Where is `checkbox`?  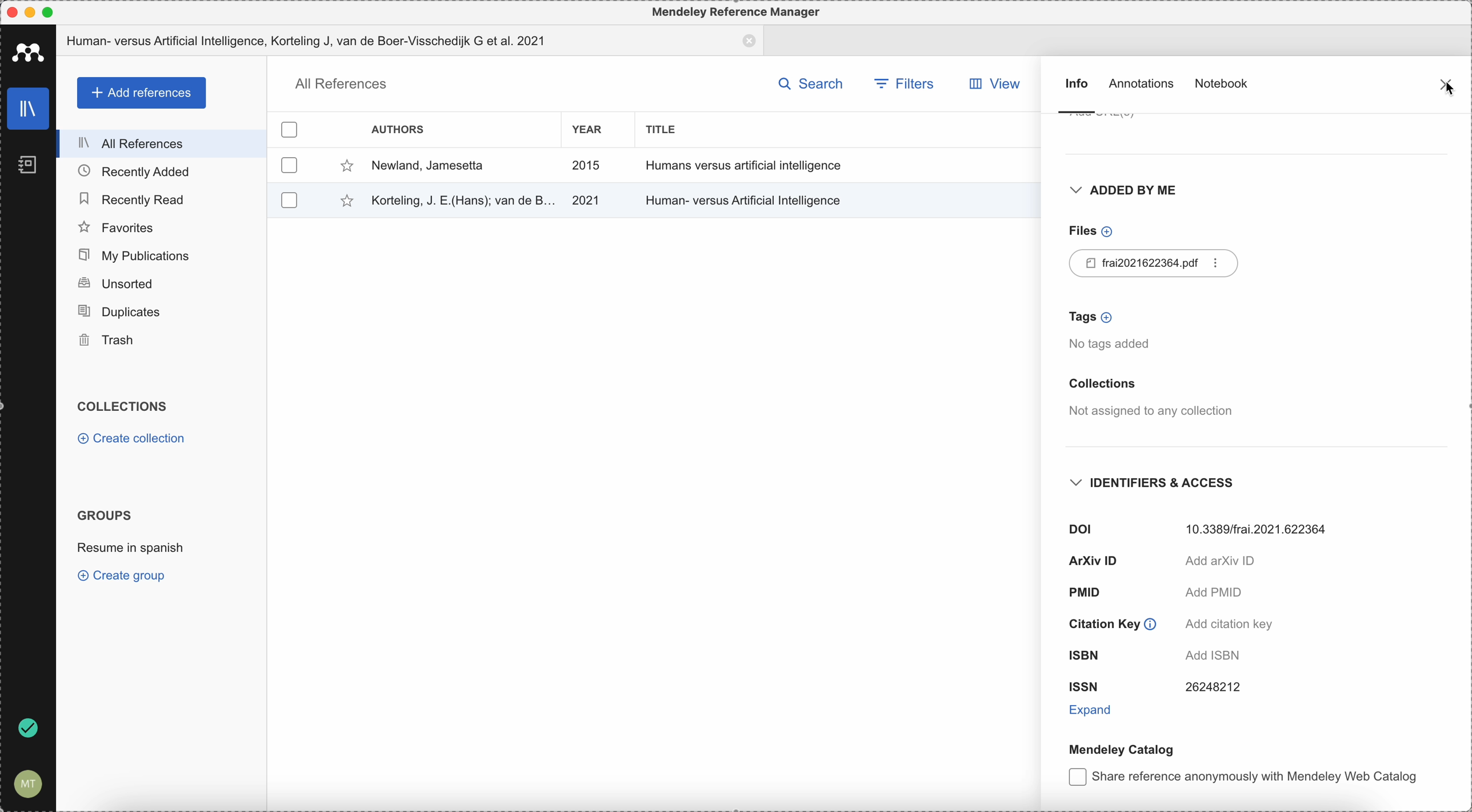 checkbox is located at coordinates (290, 165).